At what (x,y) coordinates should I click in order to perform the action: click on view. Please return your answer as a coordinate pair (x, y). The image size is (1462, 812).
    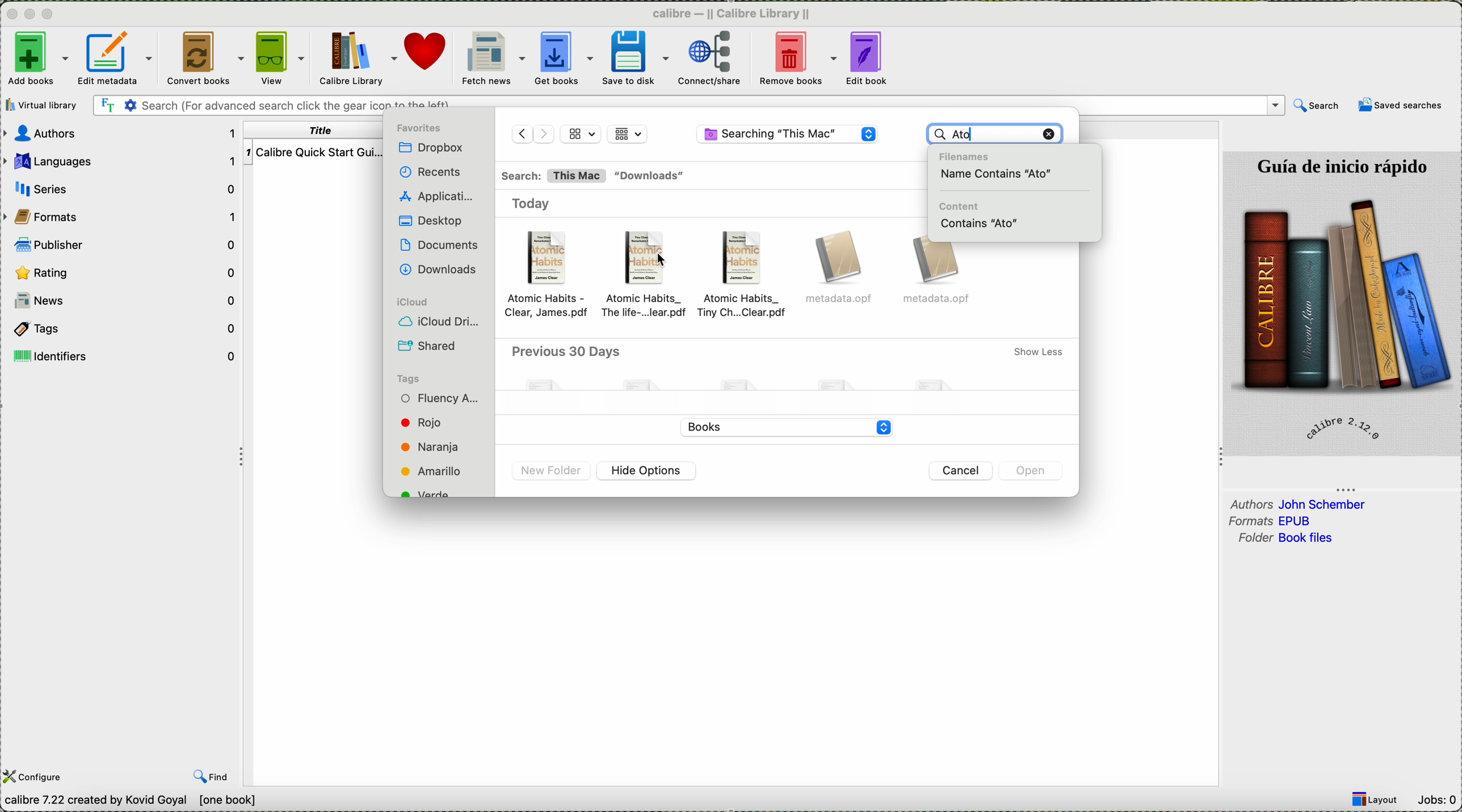
    Looking at the image, I should click on (279, 58).